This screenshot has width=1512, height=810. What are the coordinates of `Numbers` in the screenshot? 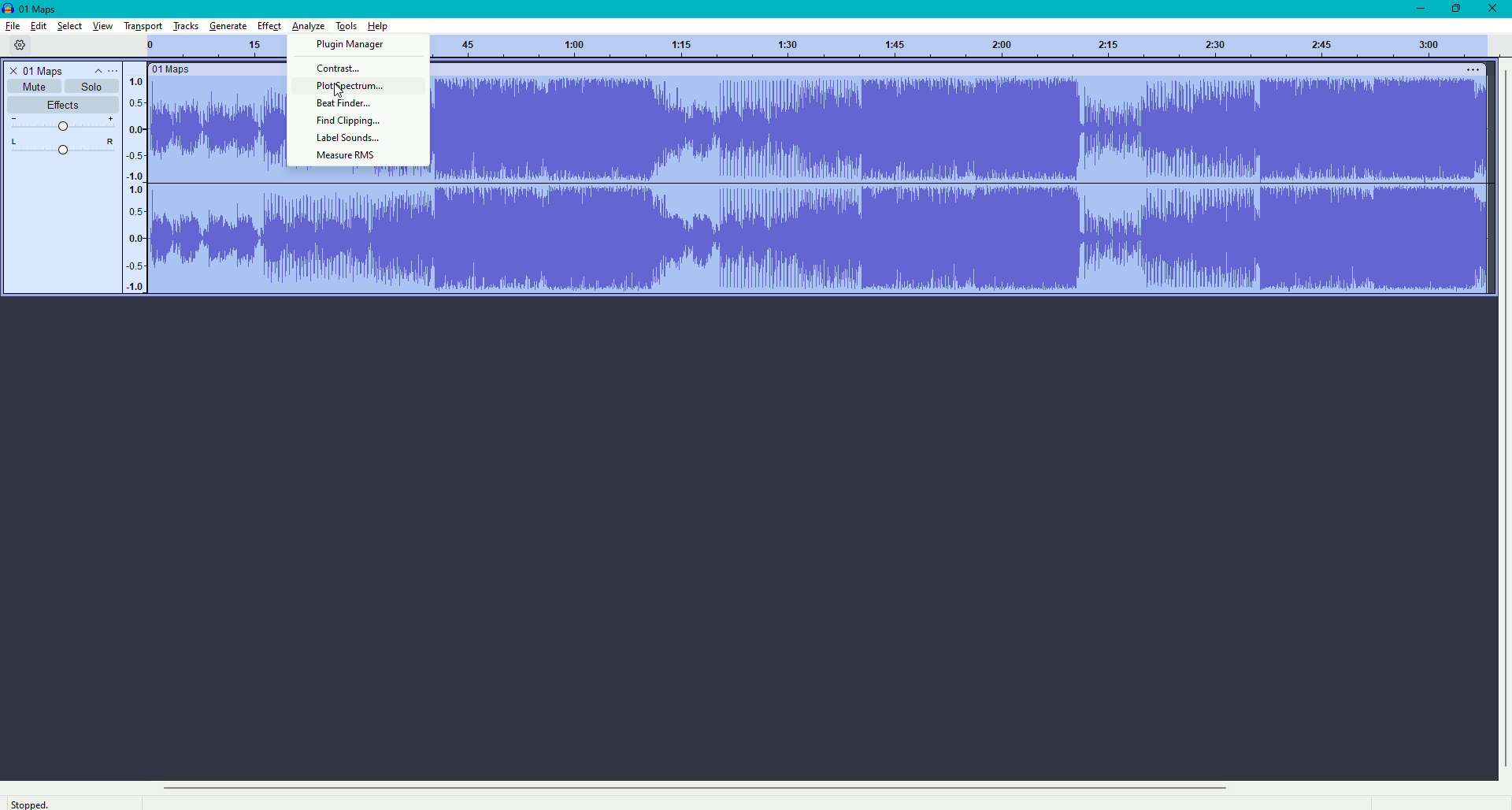 It's located at (135, 186).